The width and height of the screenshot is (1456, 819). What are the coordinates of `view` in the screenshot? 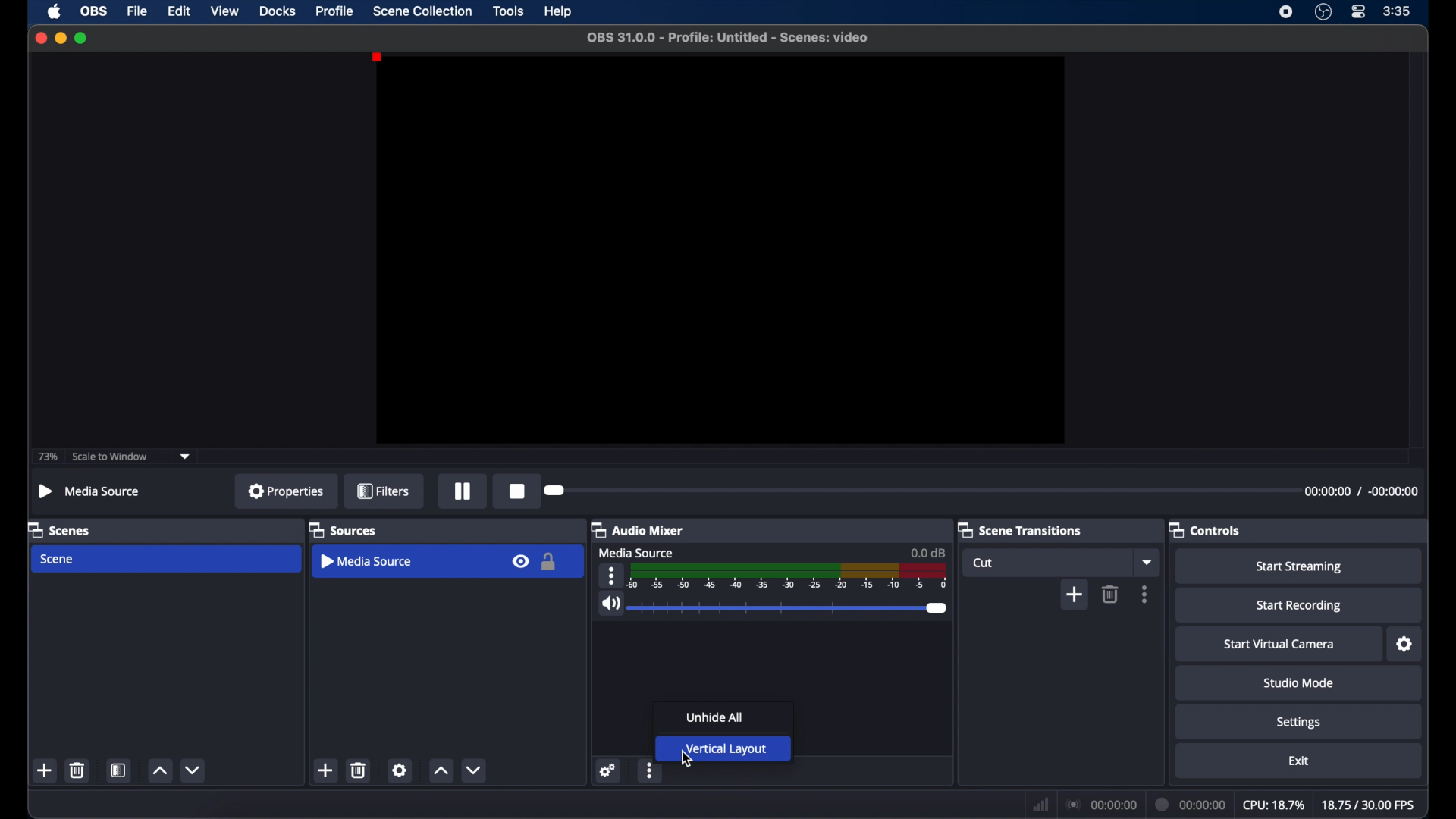 It's located at (226, 12).